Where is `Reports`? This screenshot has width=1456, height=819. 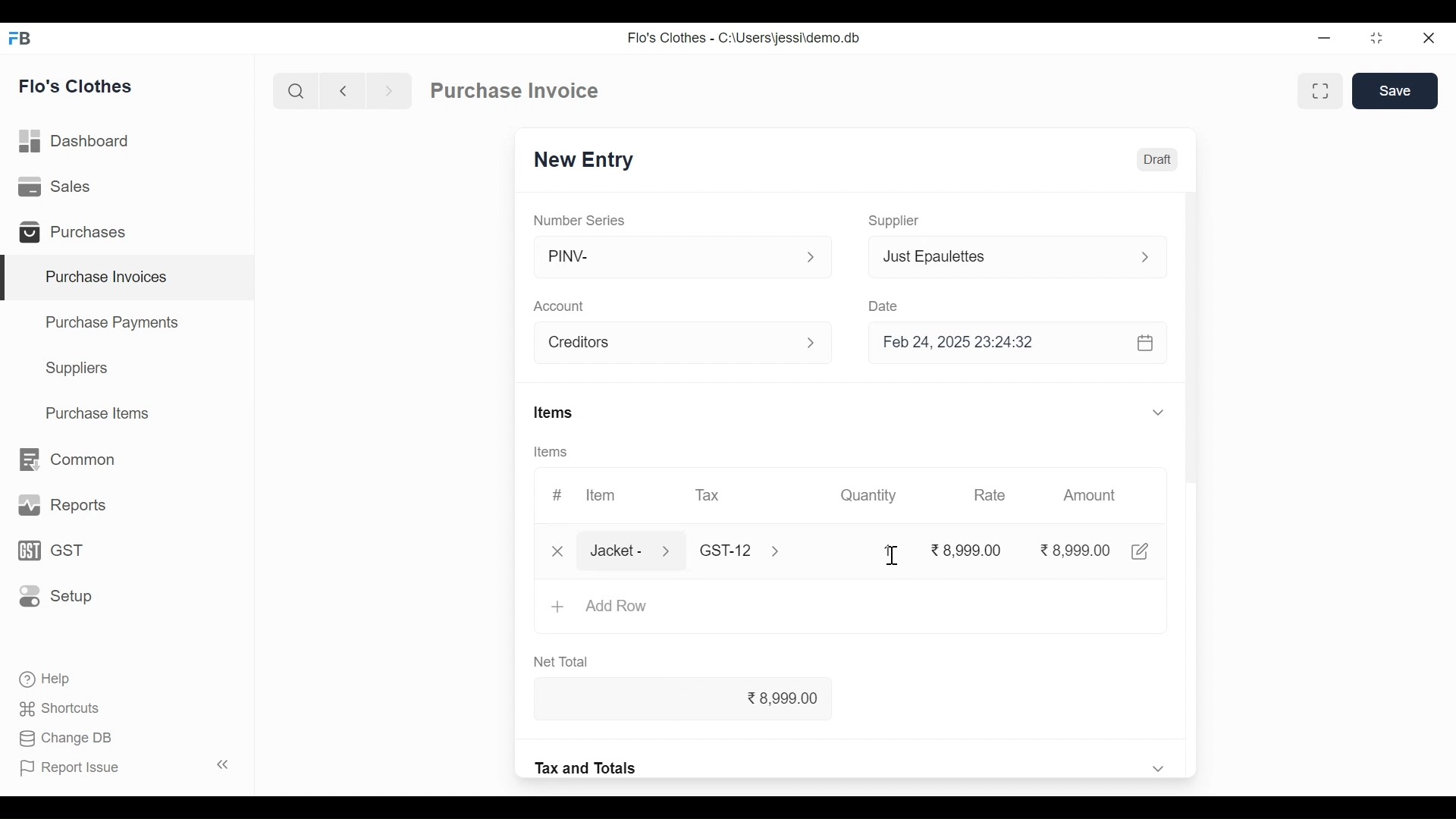 Reports is located at coordinates (59, 504).